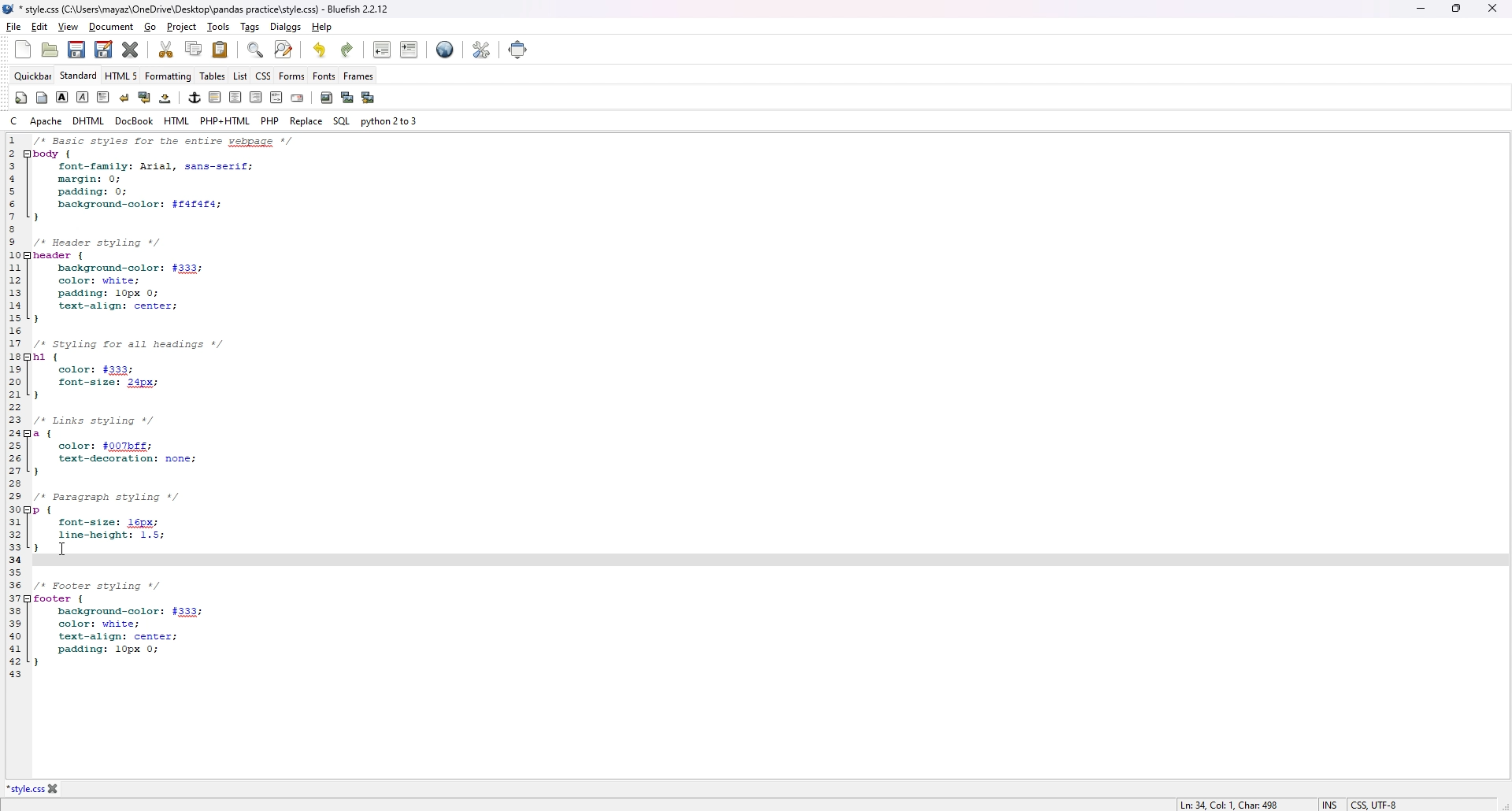 The image size is (1512, 811). Describe the element at coordinates (383, 50) in the screenshot. I see `unindent` at that location.